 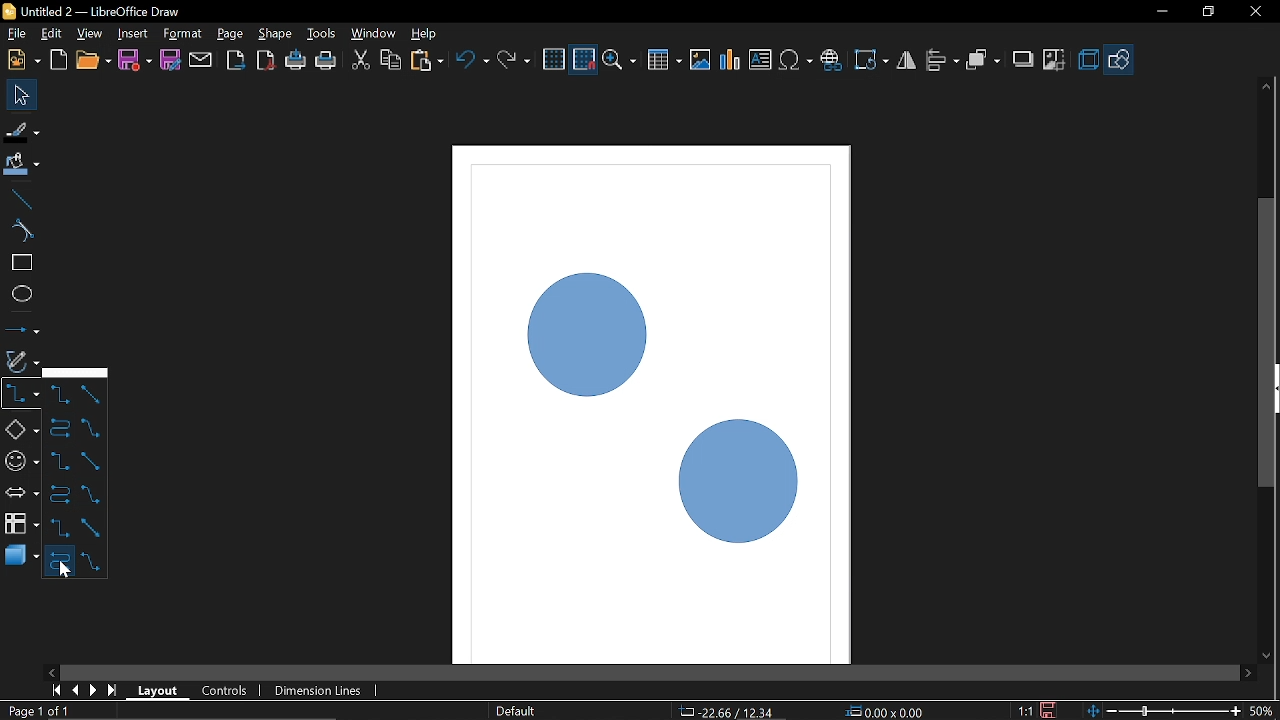 What do you see at coordinates (58, 60) in the screenshot?
I see `Open template` at bounding box center [58, 60].